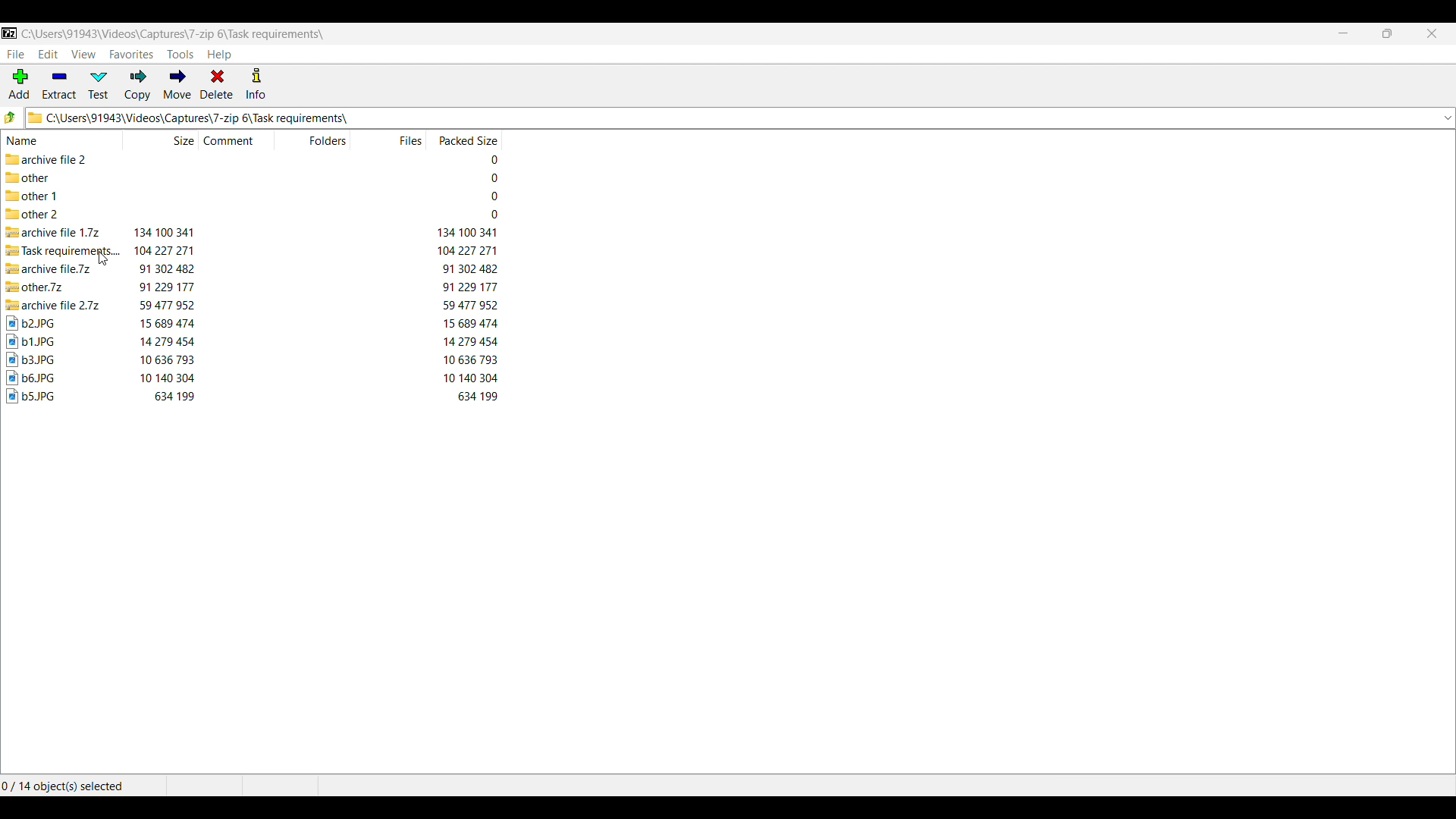 This screenshot has height=819, width=1456. I want to click on cursor, so click(104, 259).